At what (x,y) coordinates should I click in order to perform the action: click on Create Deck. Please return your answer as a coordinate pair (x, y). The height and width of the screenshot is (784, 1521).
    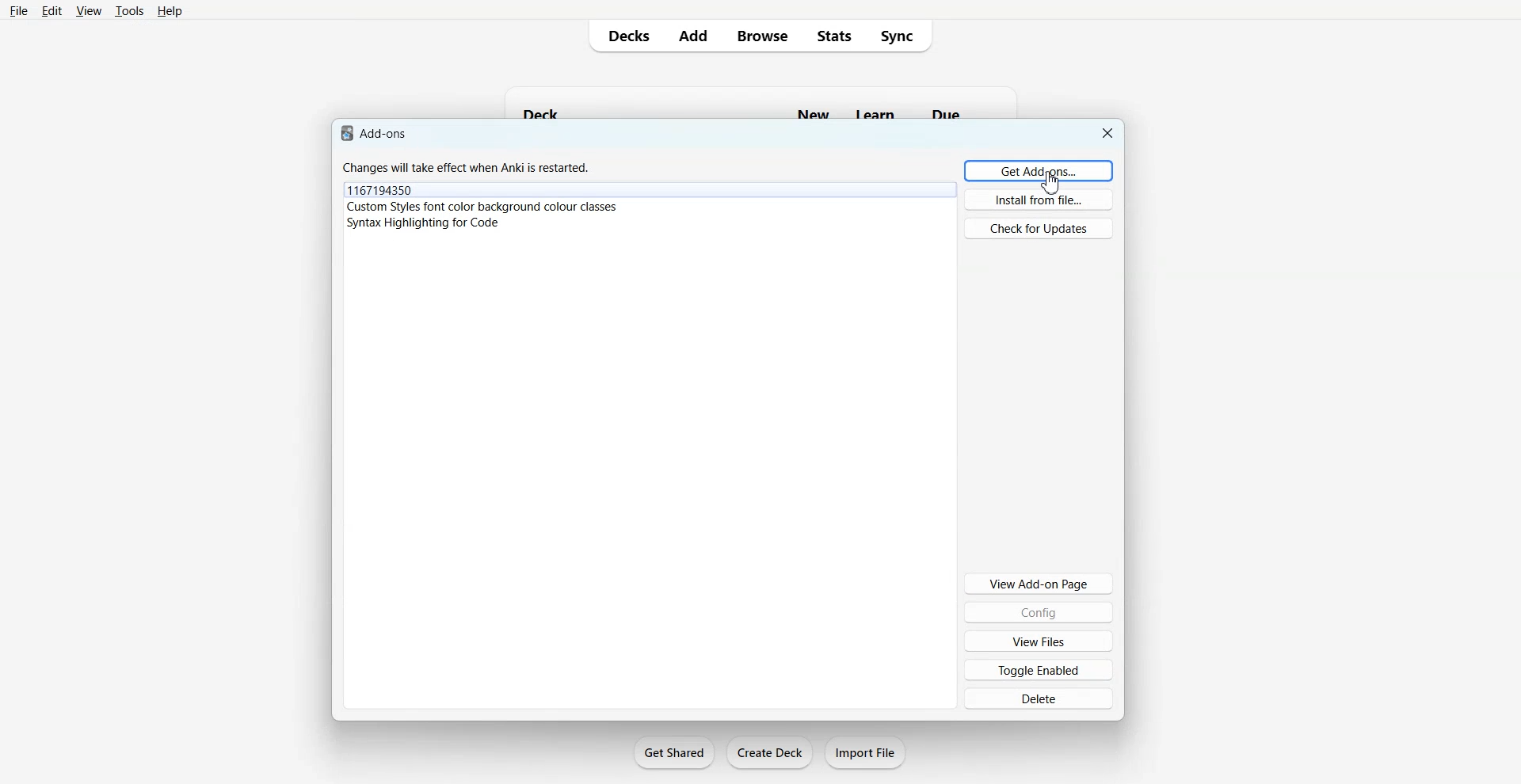
    Looking at the image, I should click on (769, 752).